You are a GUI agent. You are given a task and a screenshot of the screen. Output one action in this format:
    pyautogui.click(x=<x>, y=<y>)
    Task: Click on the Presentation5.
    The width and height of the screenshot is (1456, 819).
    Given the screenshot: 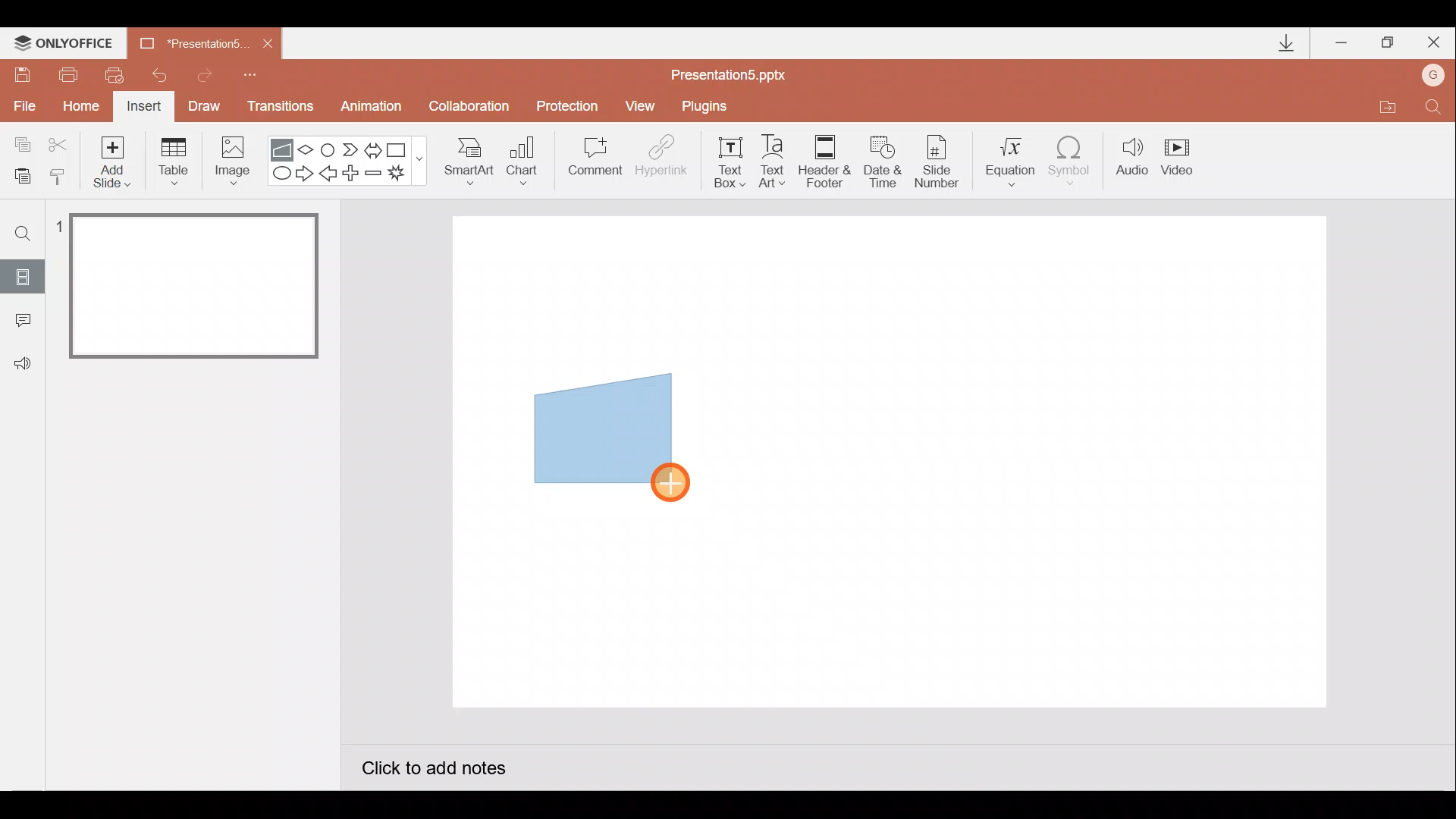 What is the action you would take?
    pyautogui.click(x=187, y=41)
    